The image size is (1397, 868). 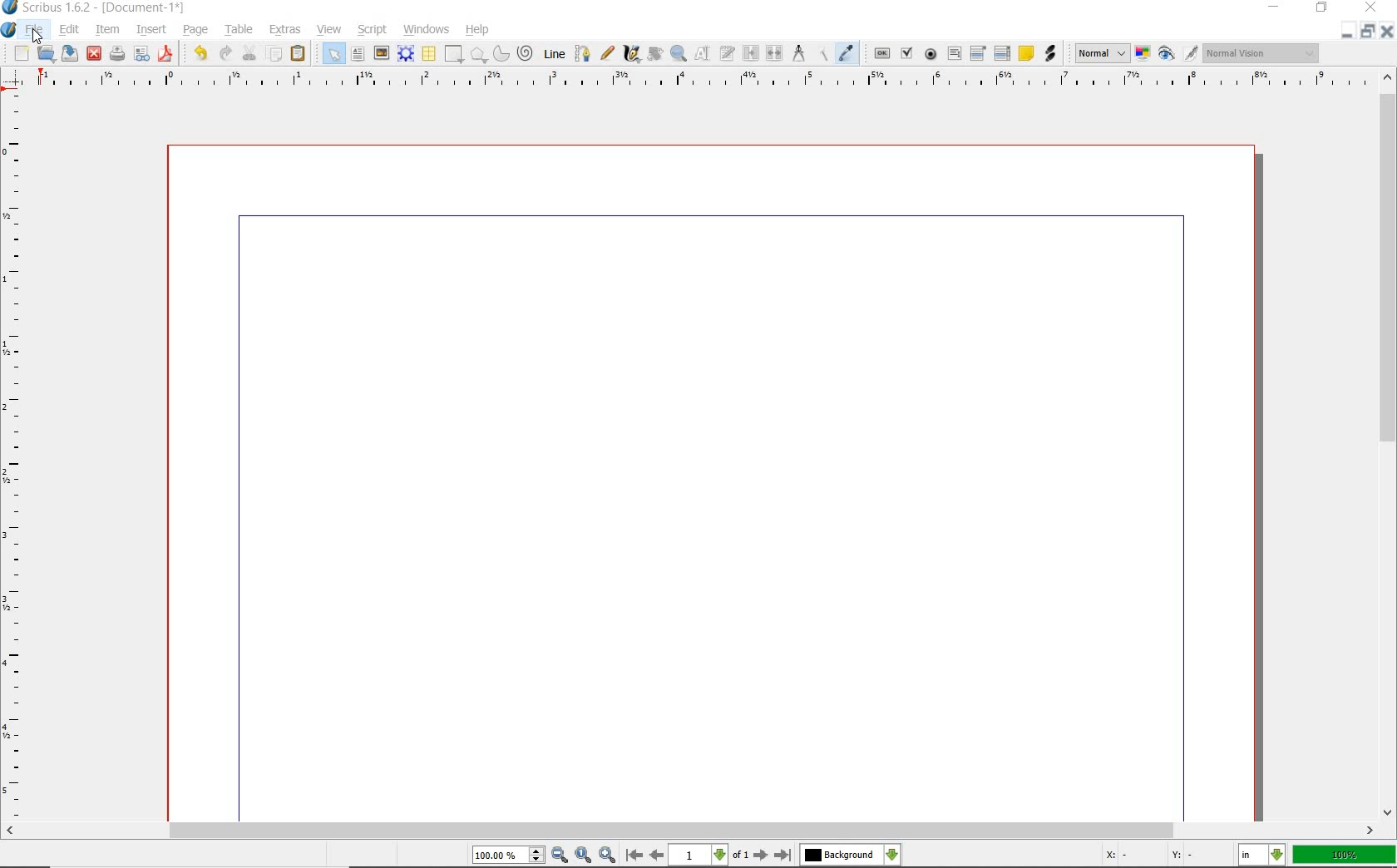 I want to click on ruler, so click(x=699, y=84).